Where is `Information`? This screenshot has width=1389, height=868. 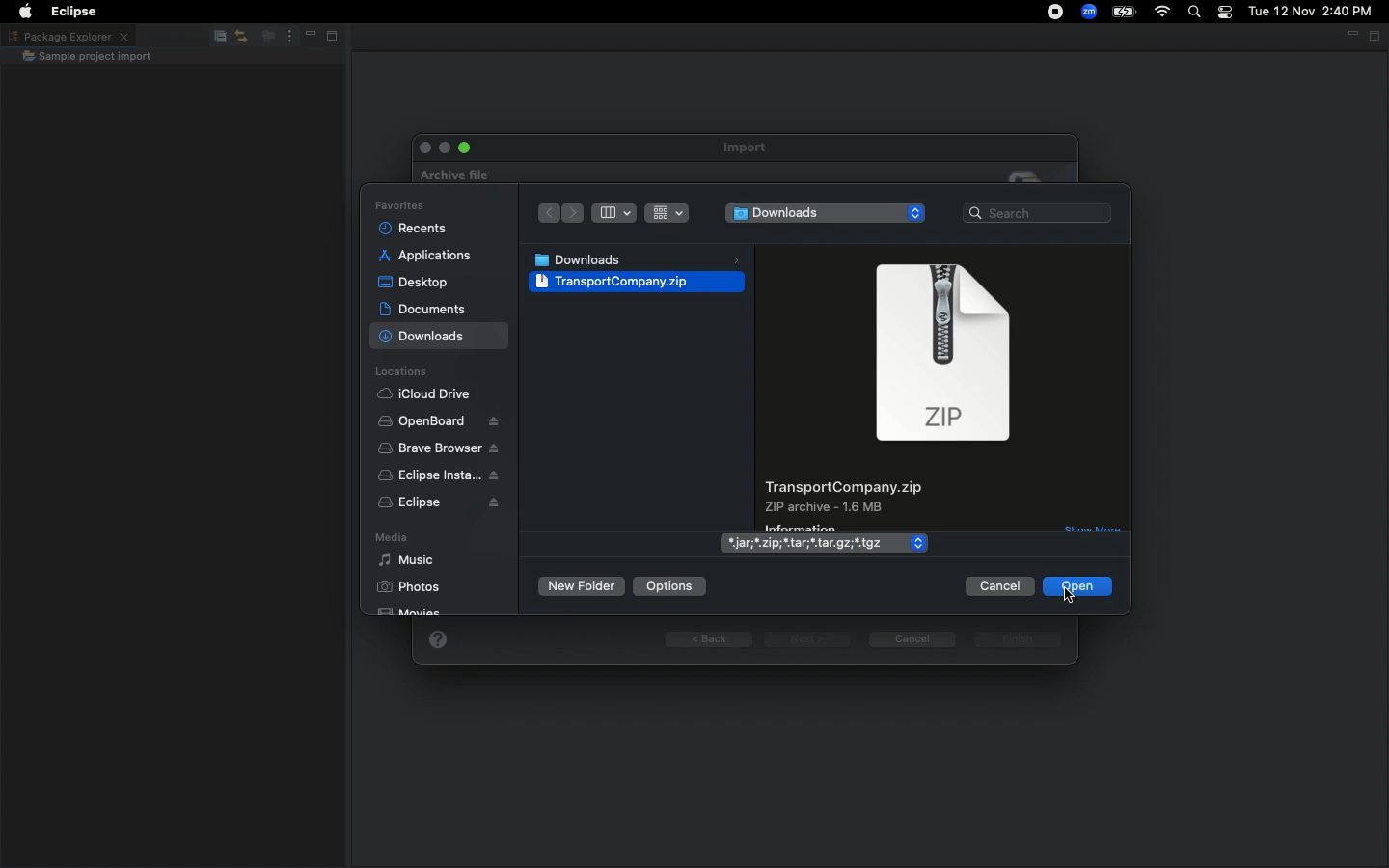
Information is located at coordinates (821, 525).